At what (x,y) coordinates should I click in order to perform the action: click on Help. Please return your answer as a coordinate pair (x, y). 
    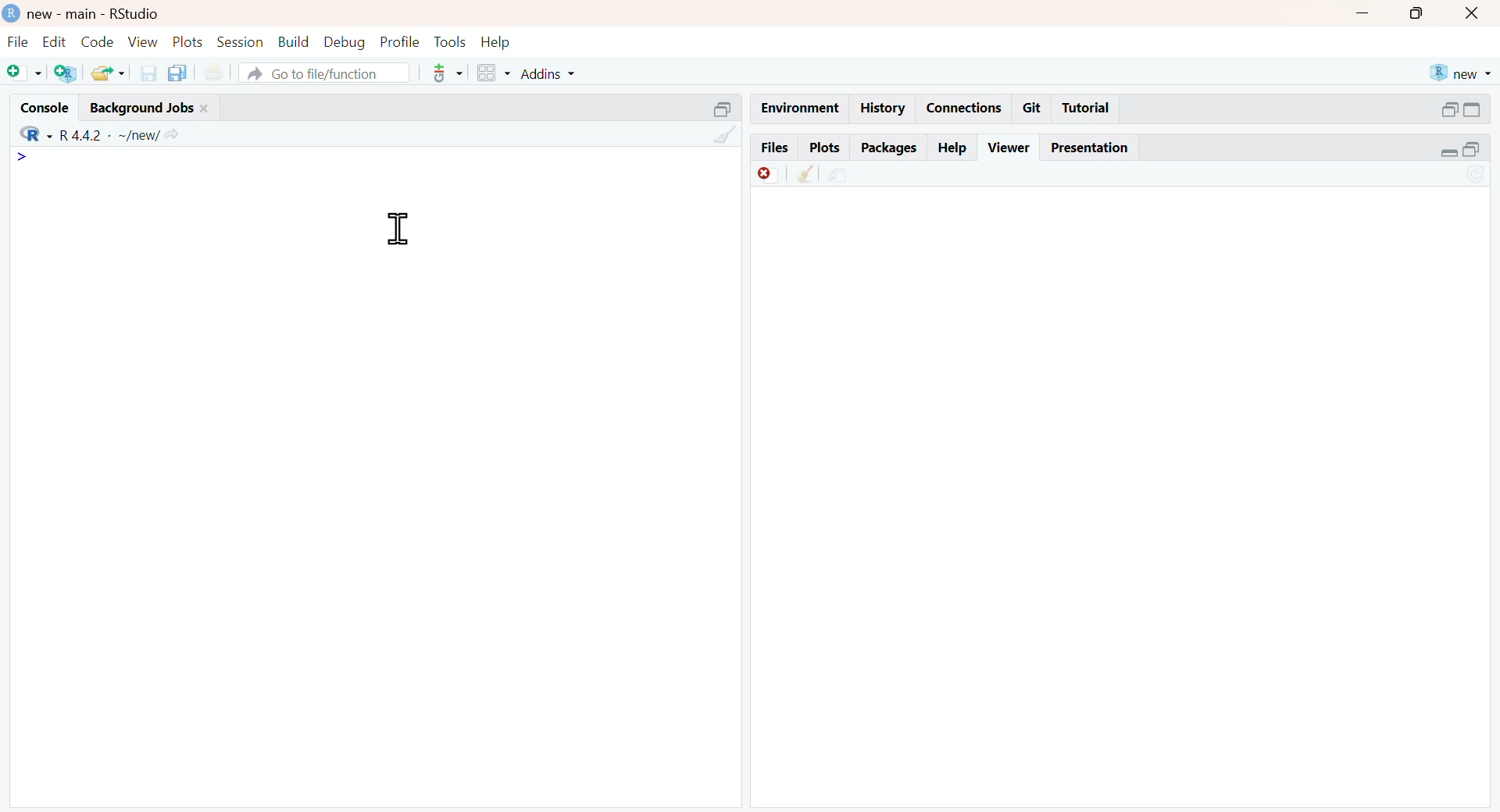
    Looking at the image, I should click on (953, 147).